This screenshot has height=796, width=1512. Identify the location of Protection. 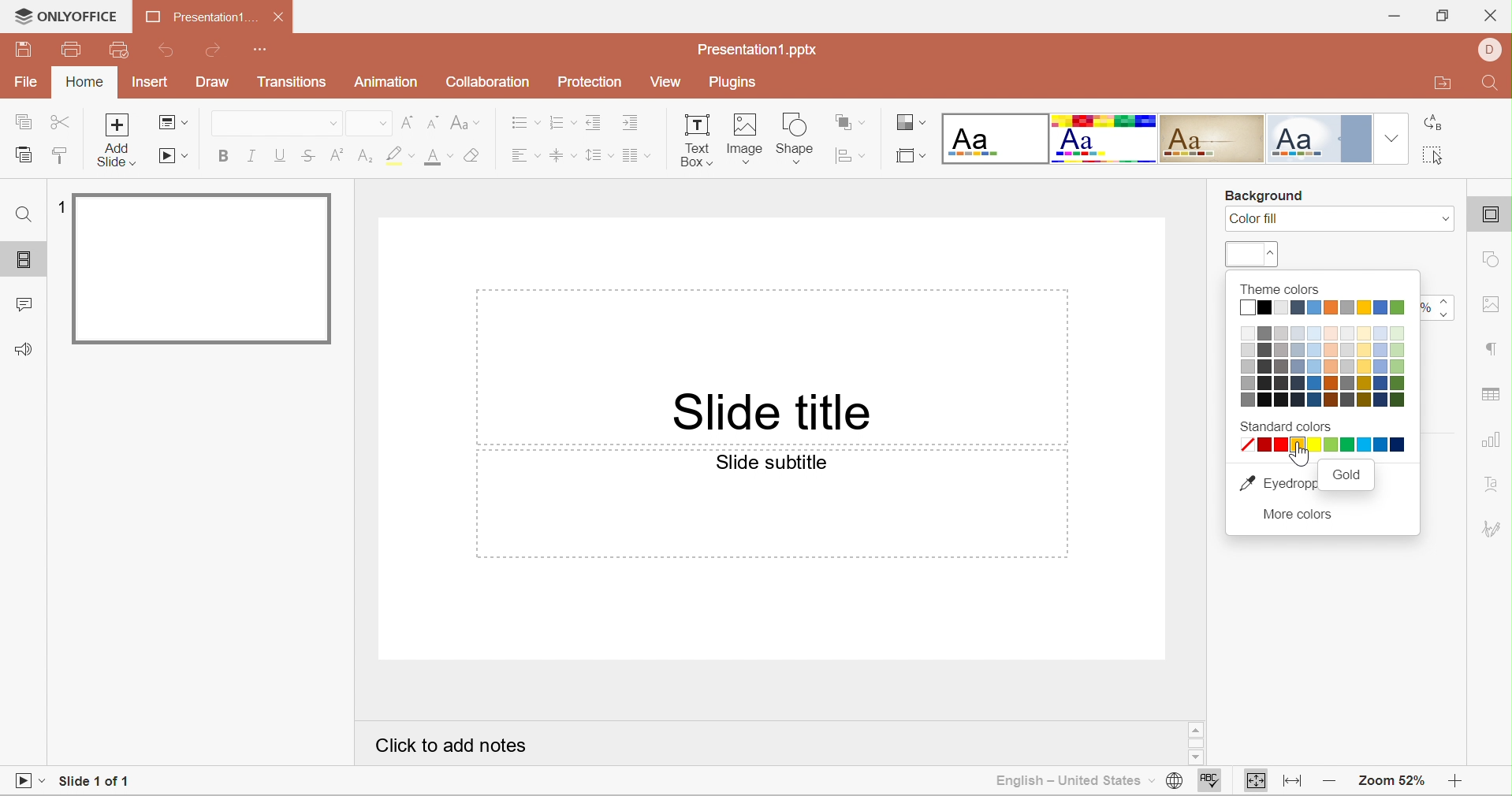
(592, 84).